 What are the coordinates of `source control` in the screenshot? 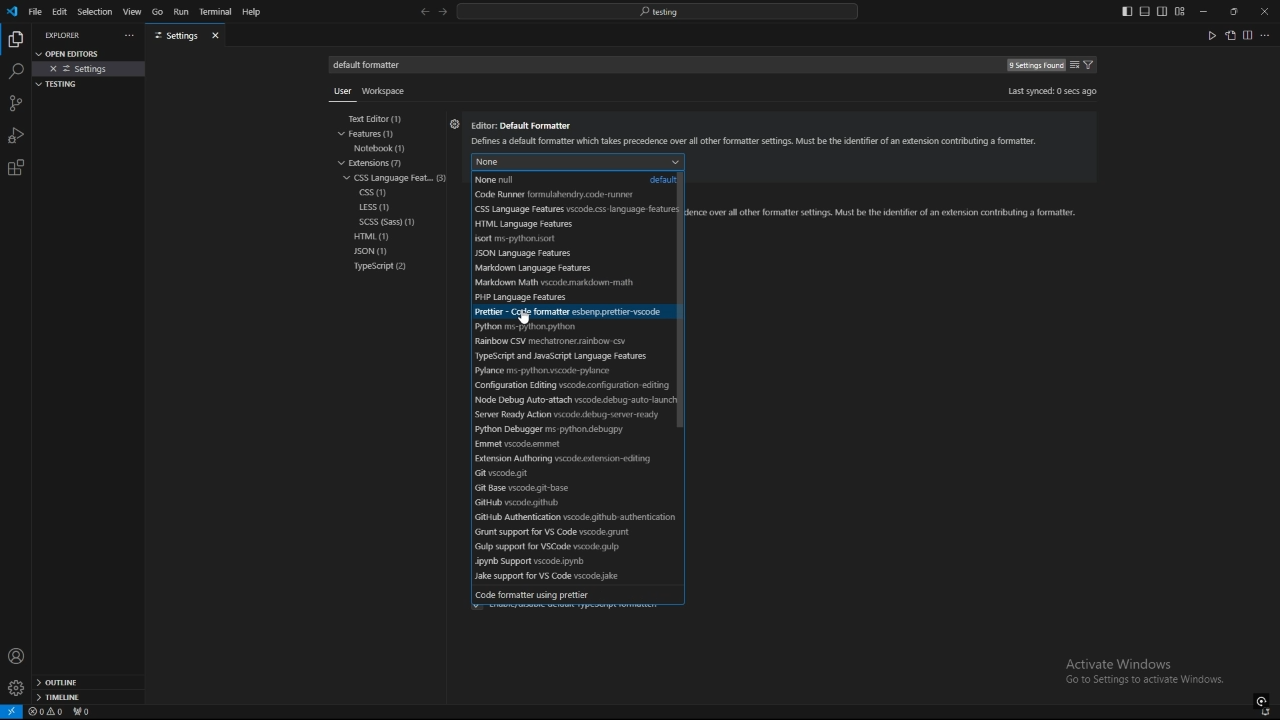 It's located at (15, 103).